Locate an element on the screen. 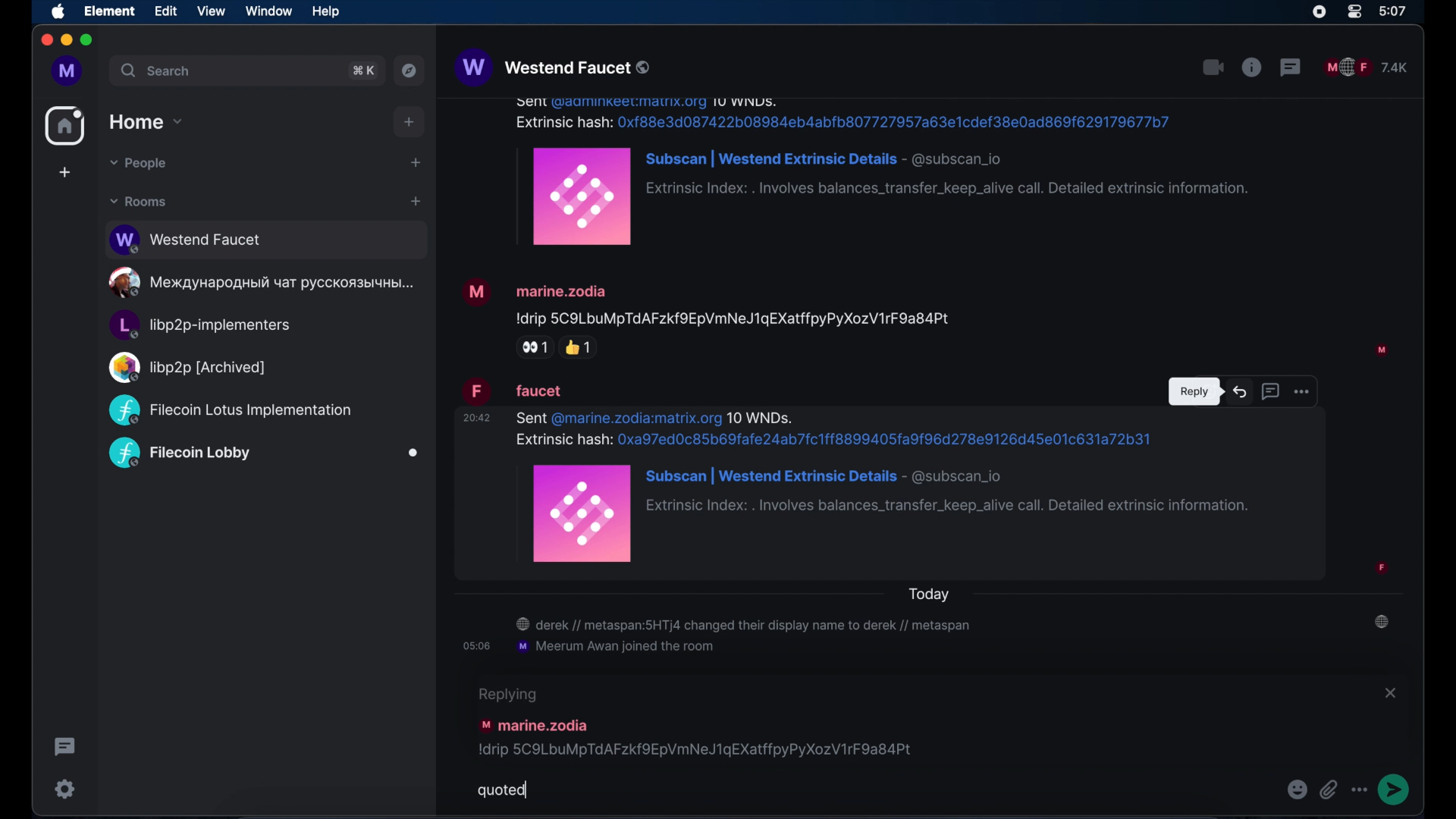 Image resolution: width=1456 pixels, height=819 pixels. public room is located at coordinates (264, 283).